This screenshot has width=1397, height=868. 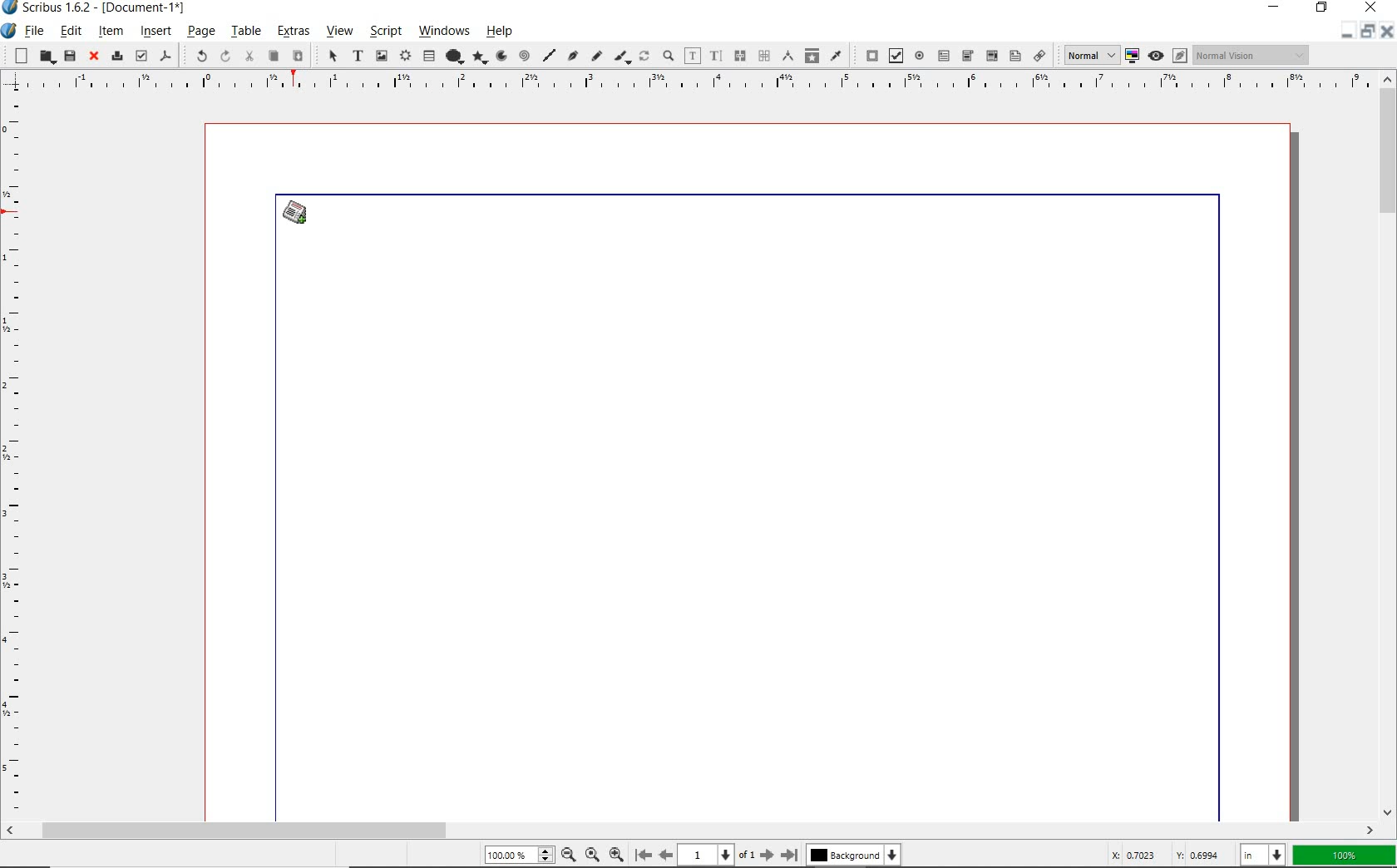 What do you see at coordinates (664, 855) in the screenshot?
I see `Previous Page` at bounding box center [664, 855].